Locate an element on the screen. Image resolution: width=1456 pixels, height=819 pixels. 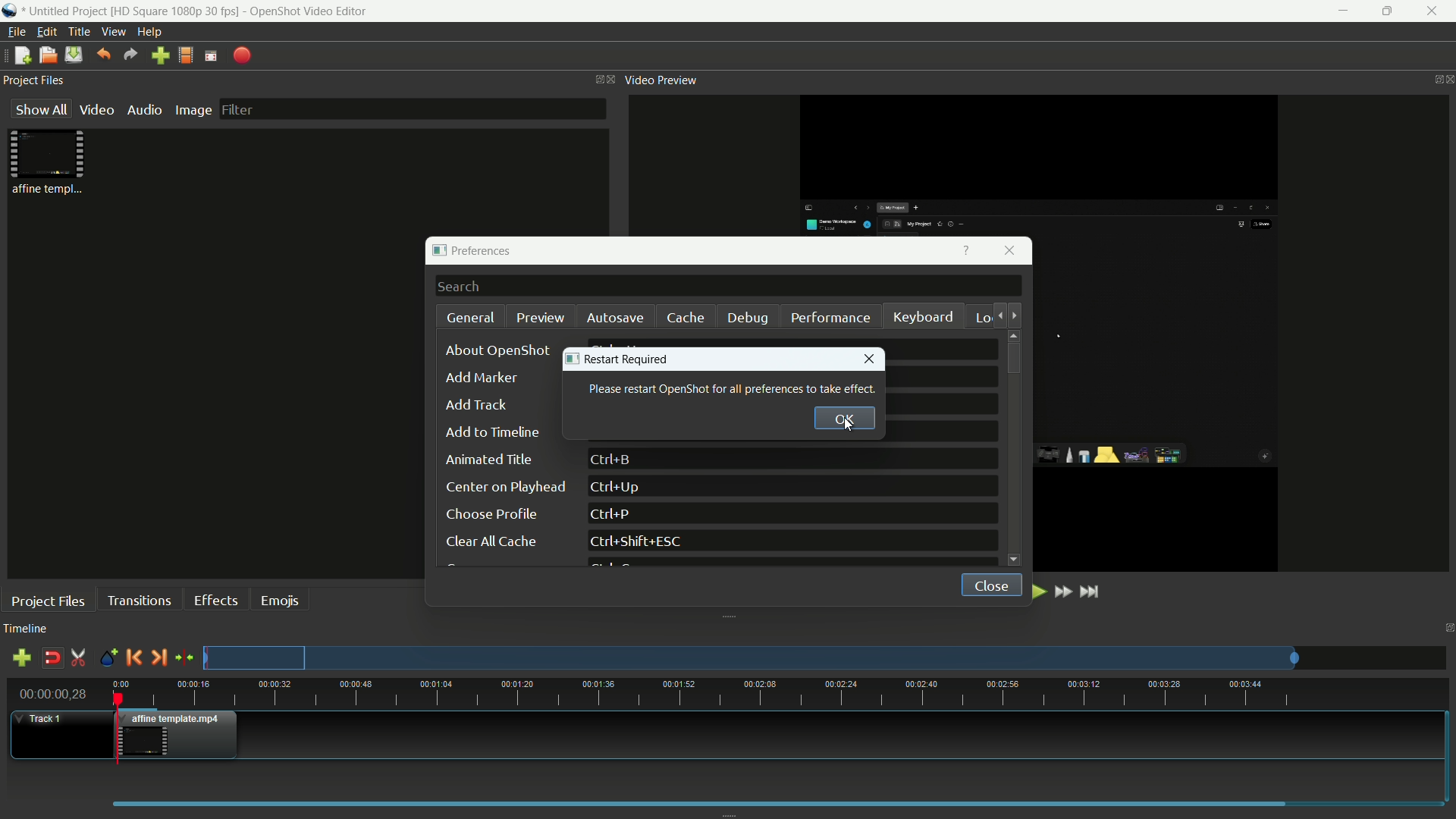
close app is located at coordinates (1435, 11).